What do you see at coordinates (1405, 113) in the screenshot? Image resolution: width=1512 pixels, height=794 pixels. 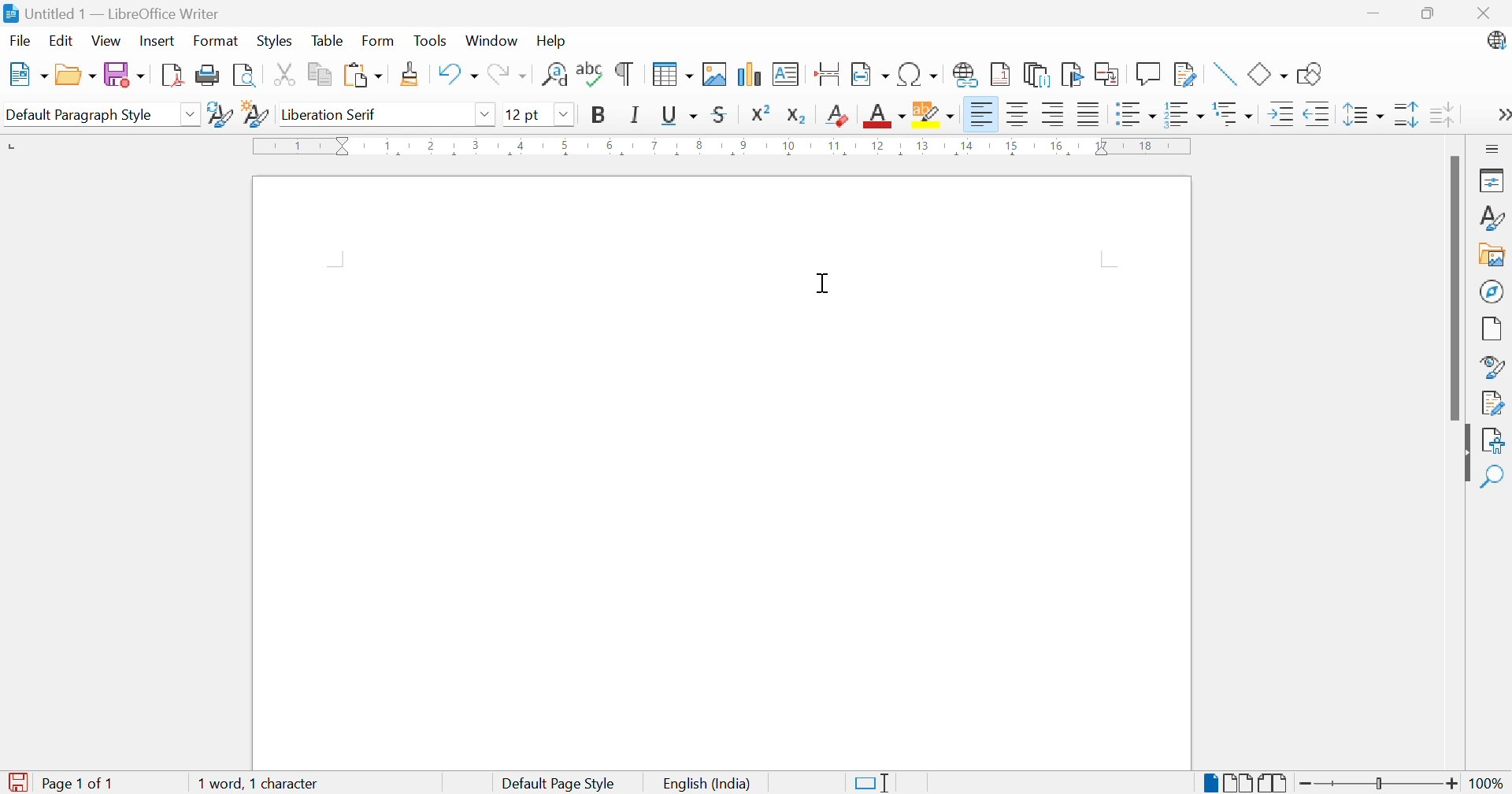 I see `Increase Paragraph Spacing` at bounding box center [1405, 113].